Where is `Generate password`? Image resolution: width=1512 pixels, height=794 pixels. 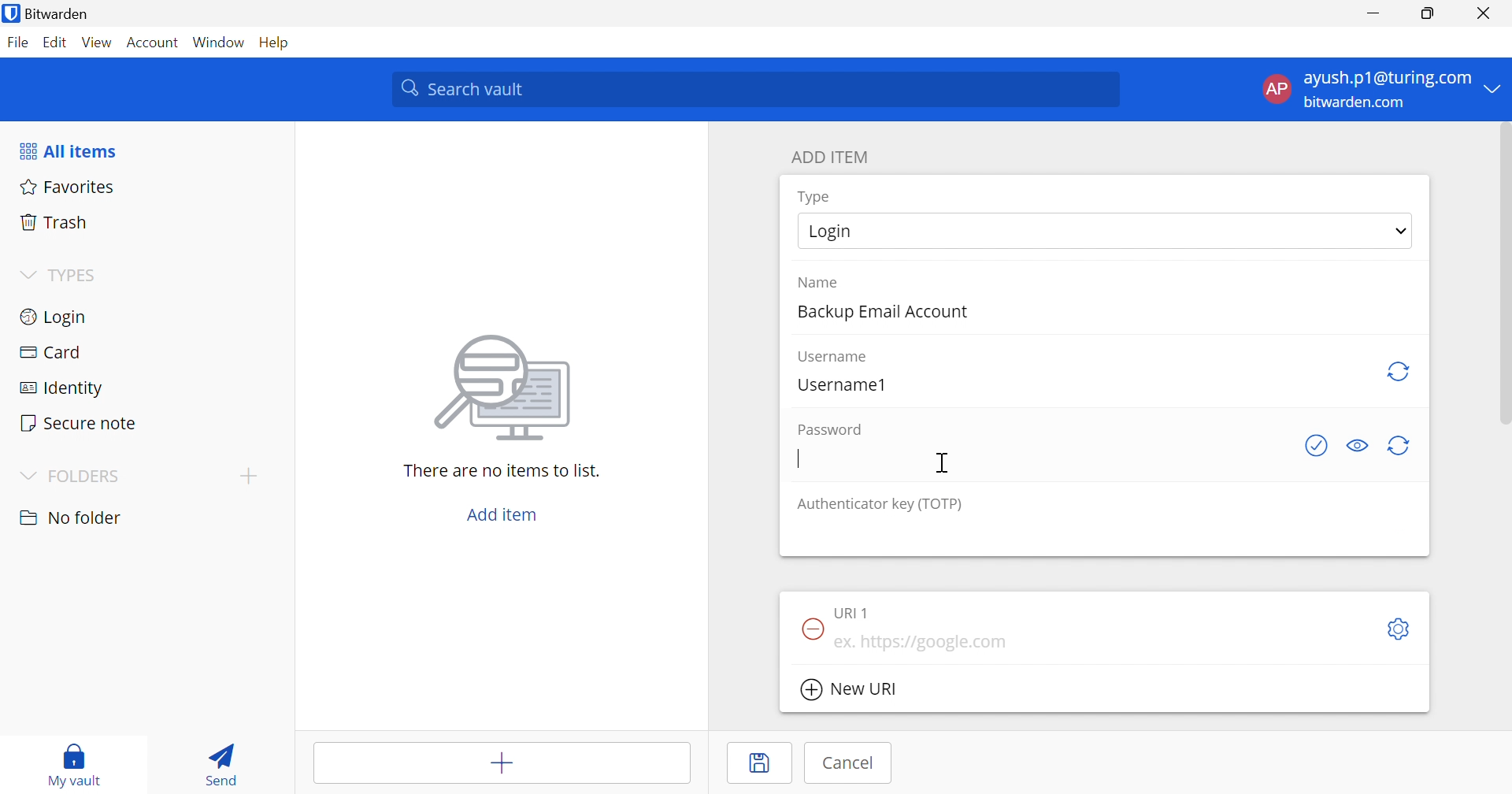
Generate password is located at coordinates (1399, 371).